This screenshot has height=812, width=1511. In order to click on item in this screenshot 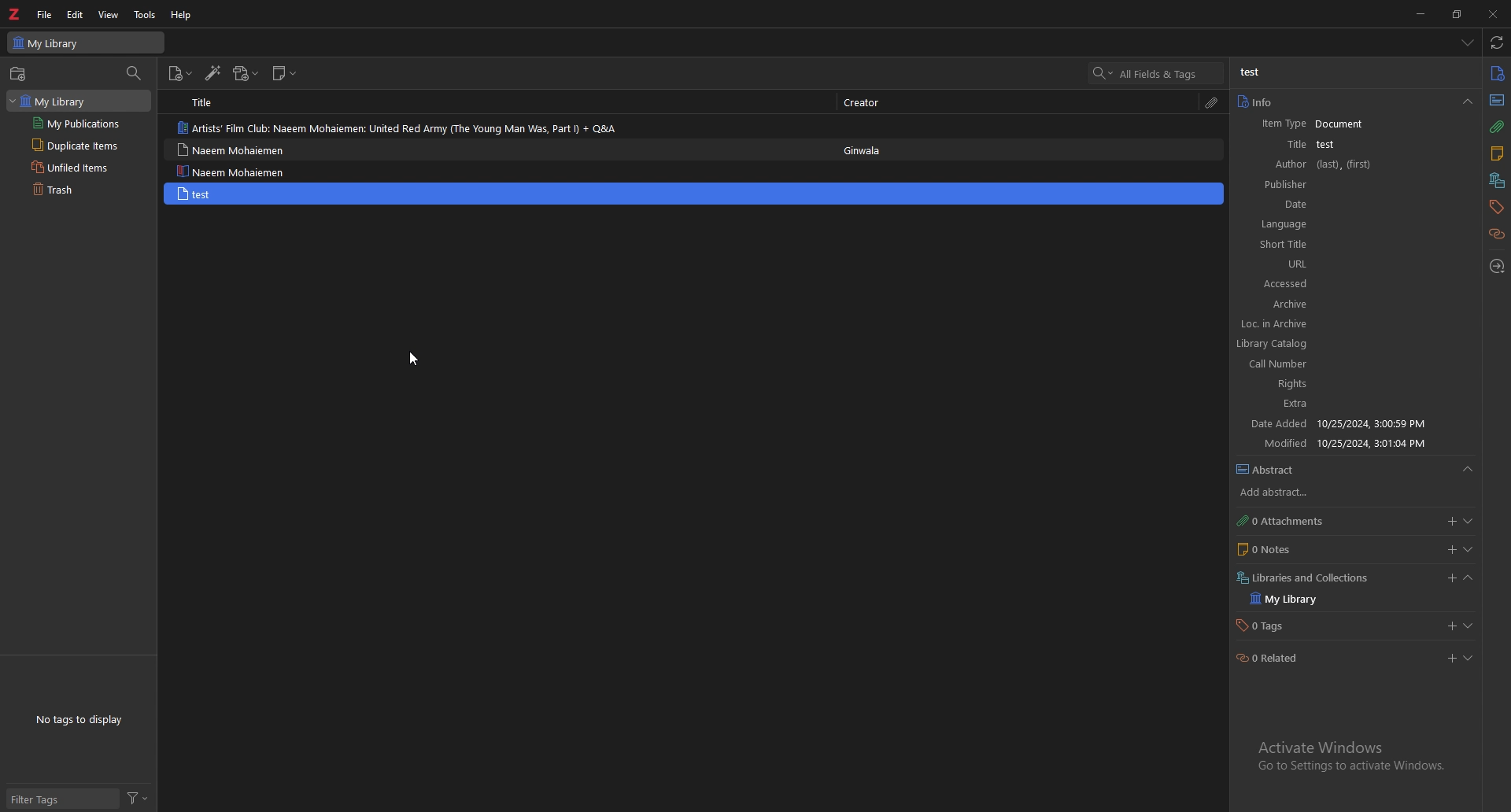, I will do `click(494, 170)`.